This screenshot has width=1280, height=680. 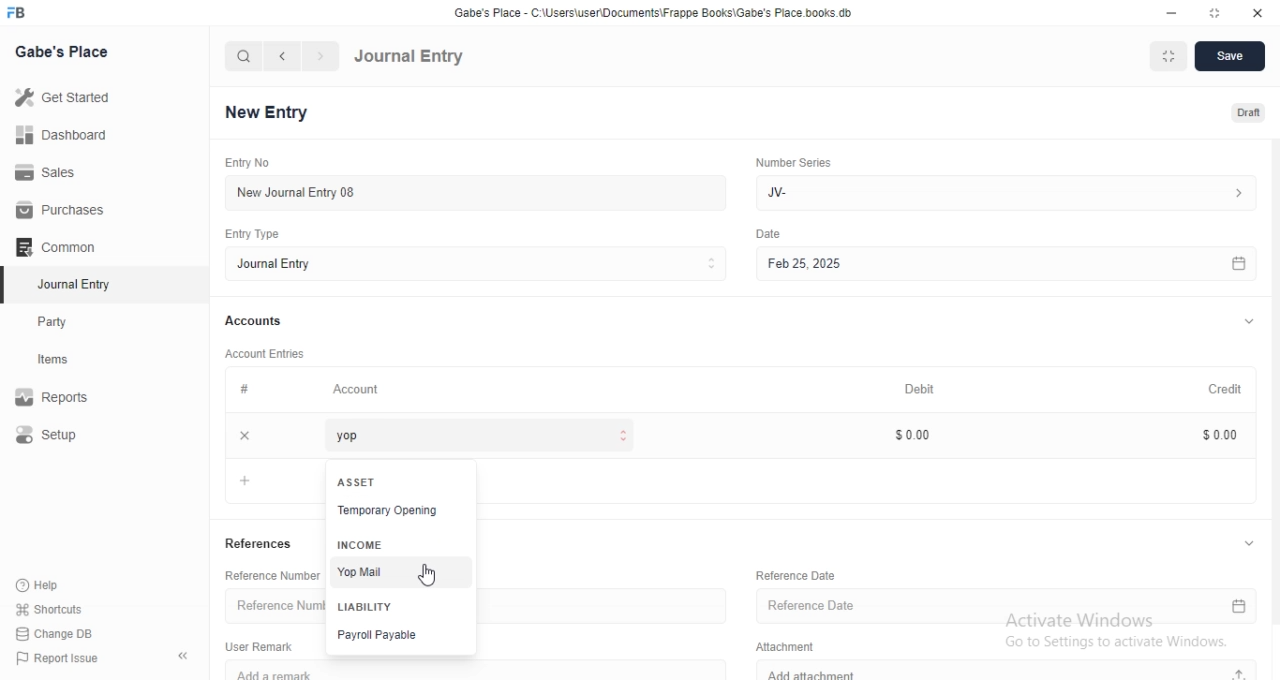 I want to click on yop, so click(x=473, y=435).